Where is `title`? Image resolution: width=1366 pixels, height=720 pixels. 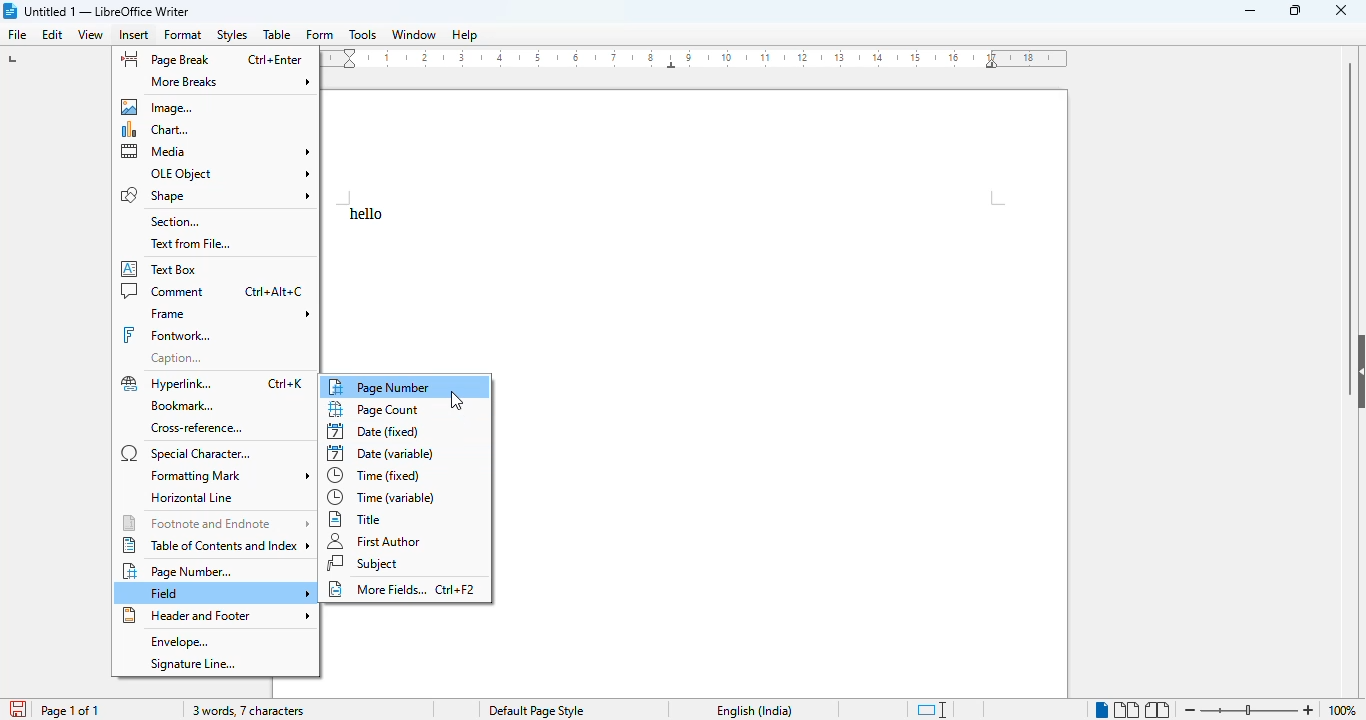
title is located at coordinates (108, 11).